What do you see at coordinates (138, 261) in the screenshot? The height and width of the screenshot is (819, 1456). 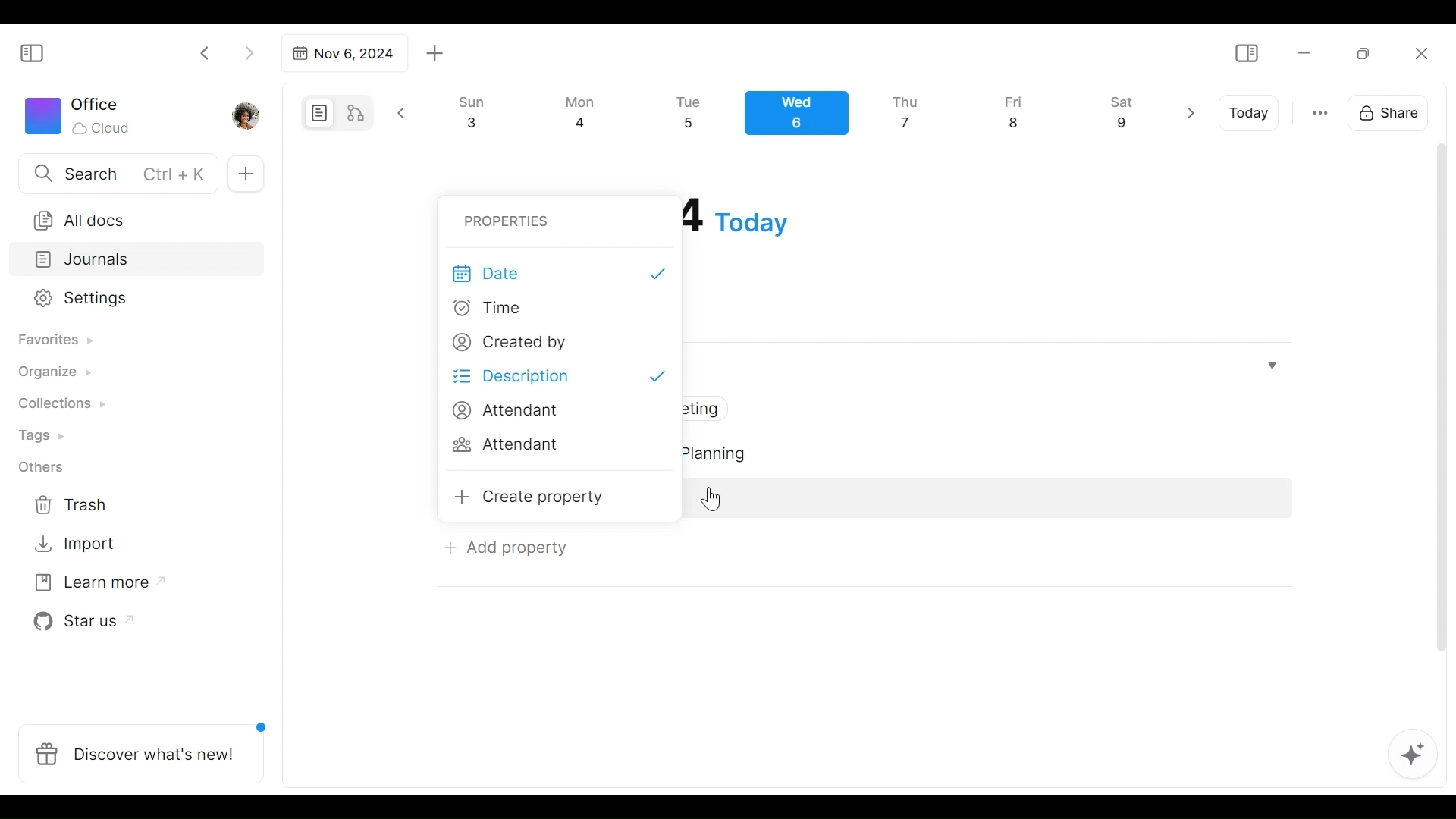 I see `Journals` at bounding box center [138, 261].